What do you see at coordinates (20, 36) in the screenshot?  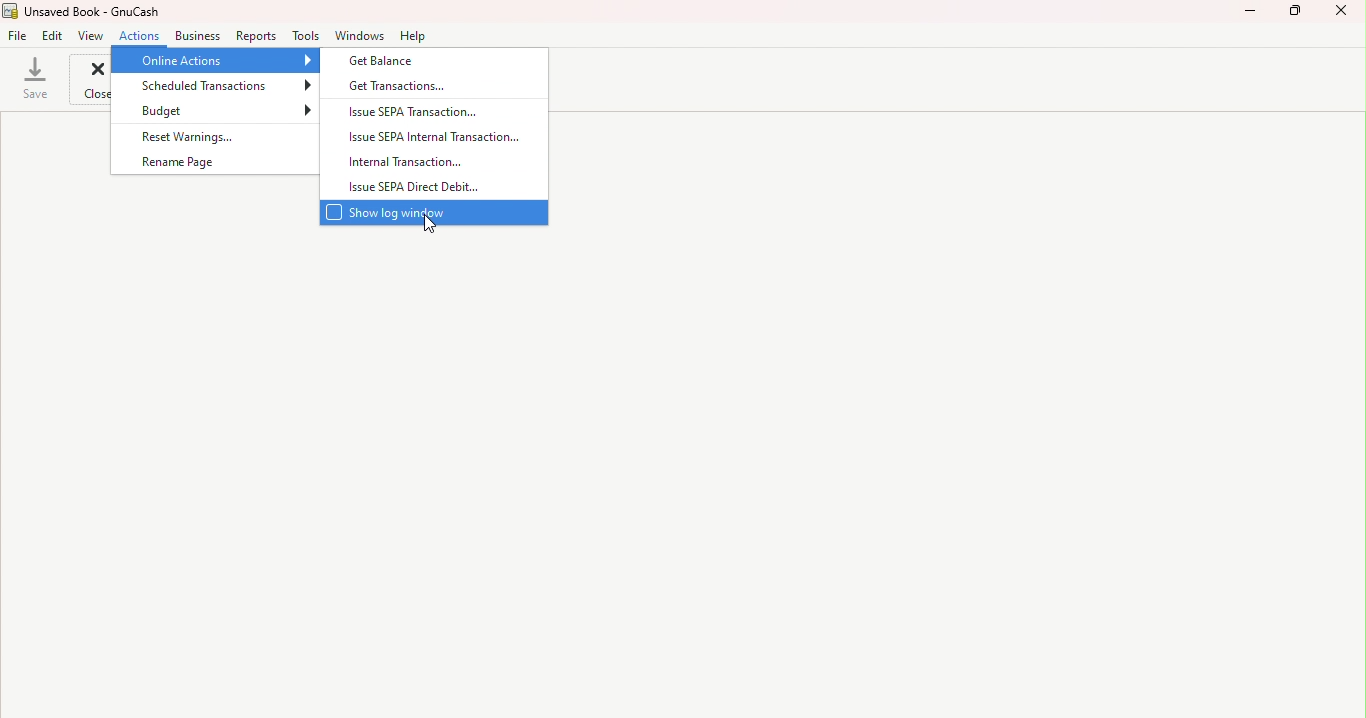 I see `File` at bounding box center [20, 36].